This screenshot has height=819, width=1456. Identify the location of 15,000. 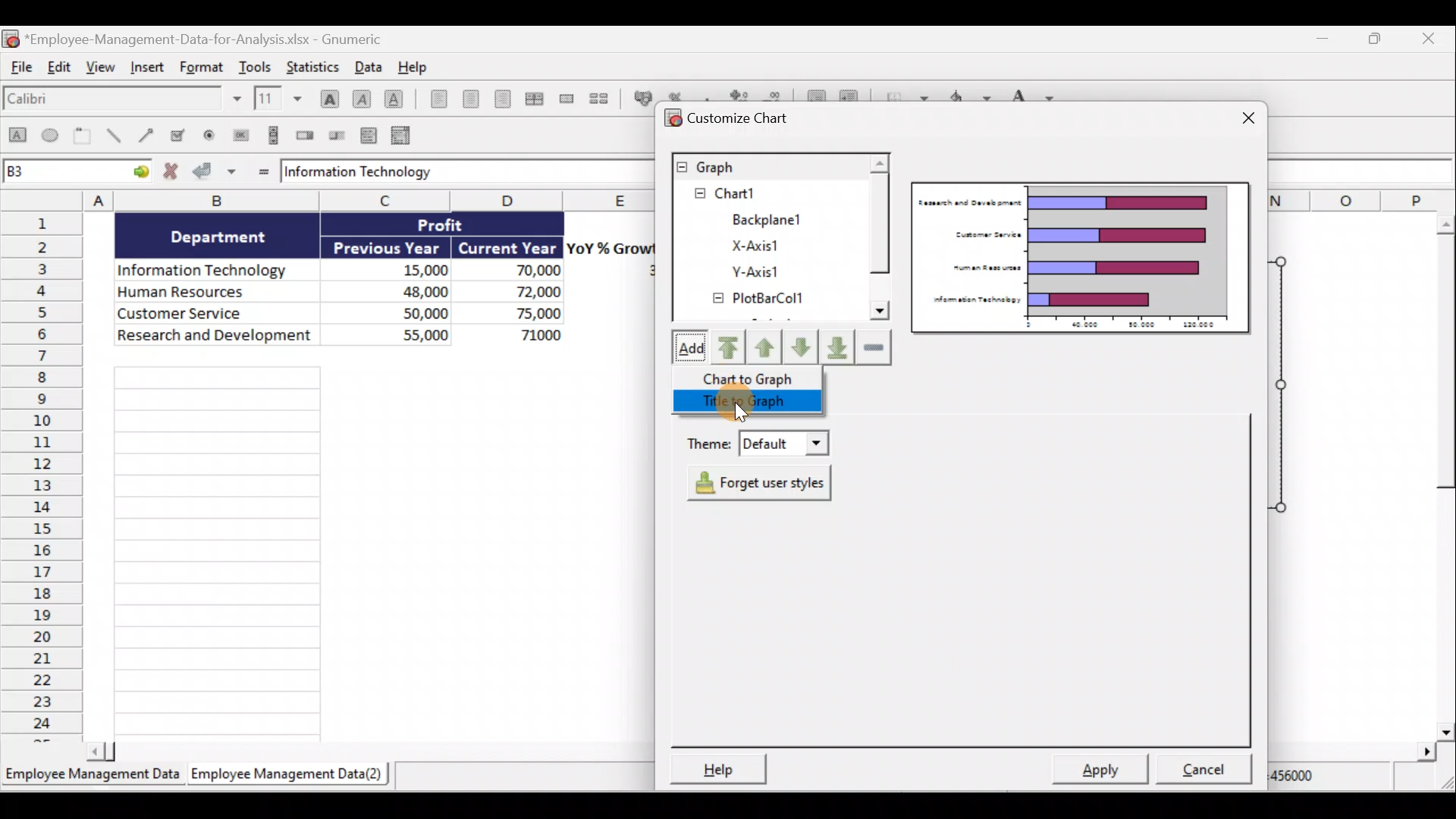
(413, 268).